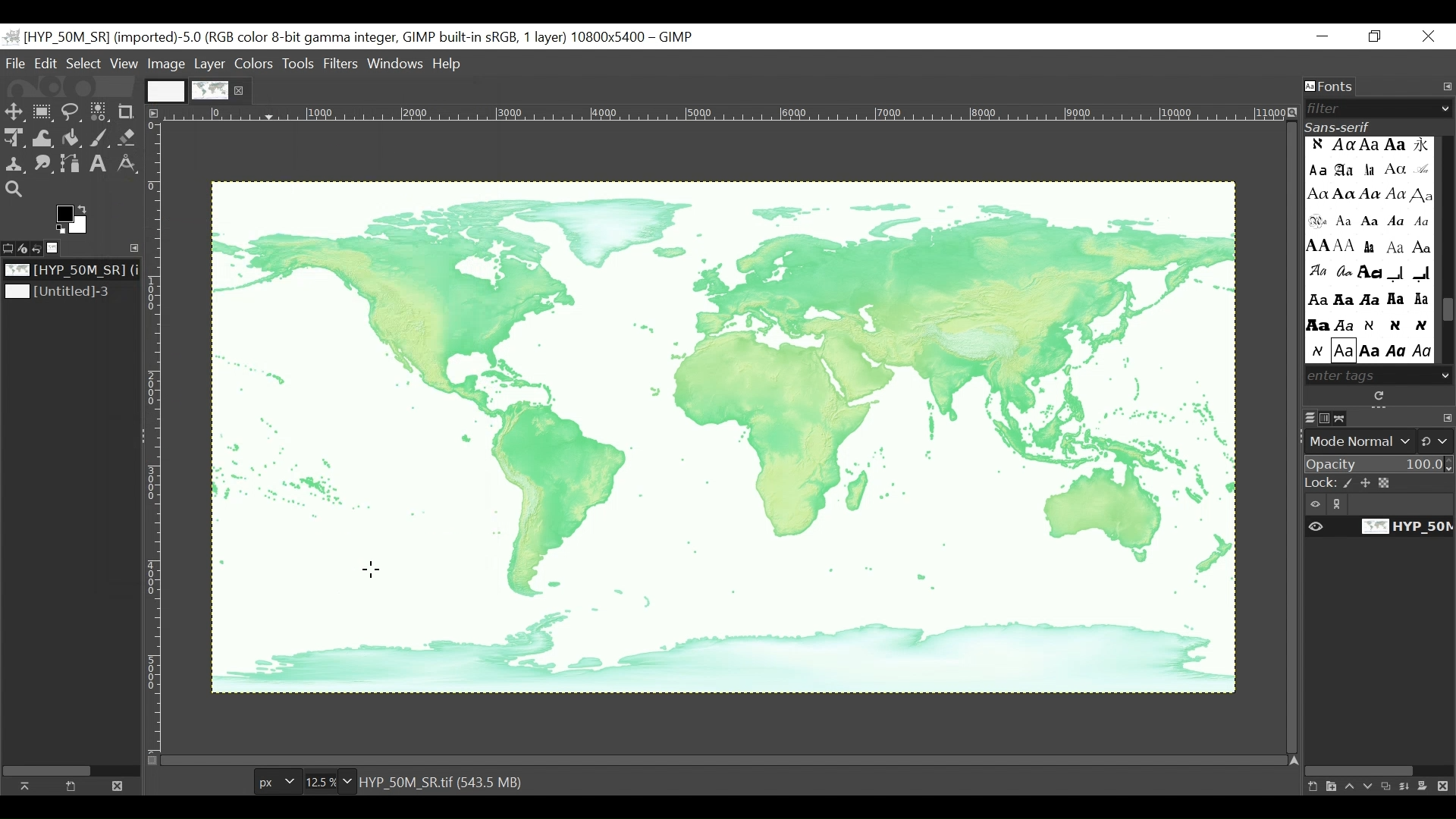 Image resolution: width=1456 pixels, height=819 pixels. I want to click on , so click(210, 64).